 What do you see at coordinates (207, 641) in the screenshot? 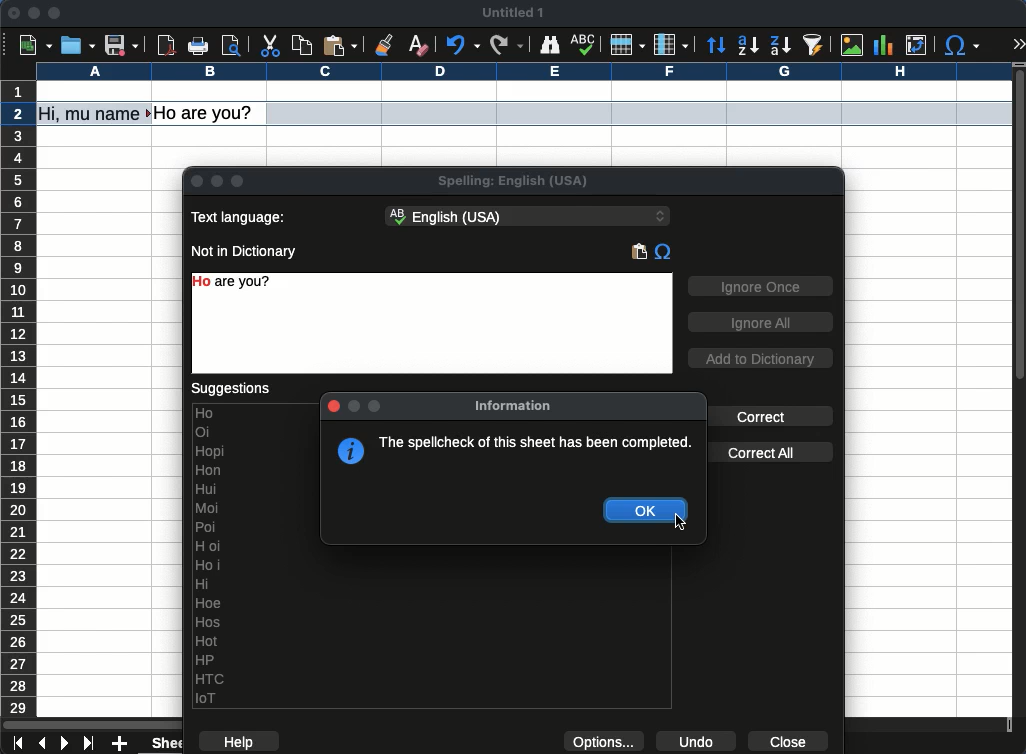
I see `Hot` at bounding box center [207, 641].